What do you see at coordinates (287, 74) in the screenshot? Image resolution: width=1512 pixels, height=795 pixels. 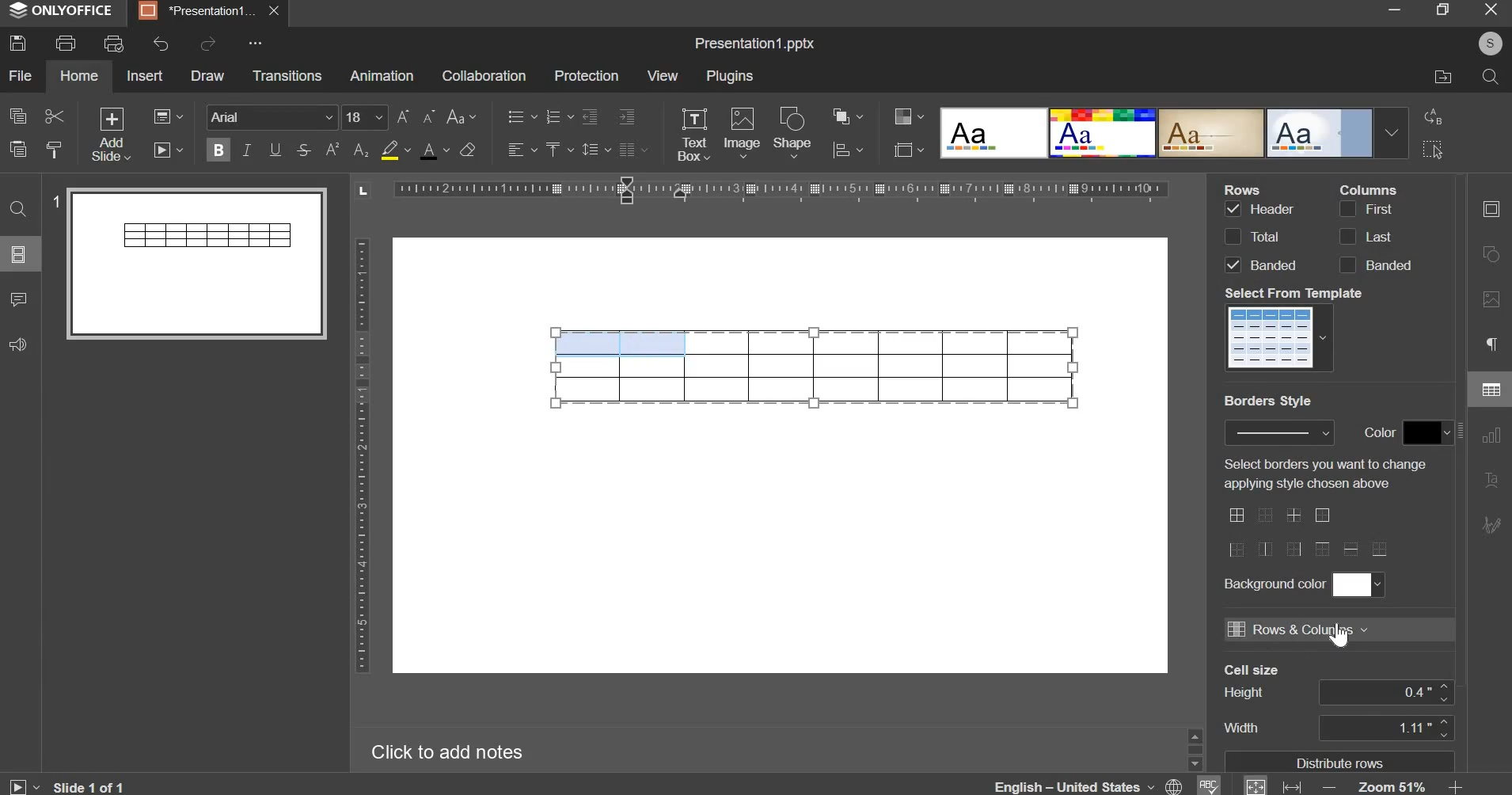 I see `transitions` at bounding box center [287, 74].